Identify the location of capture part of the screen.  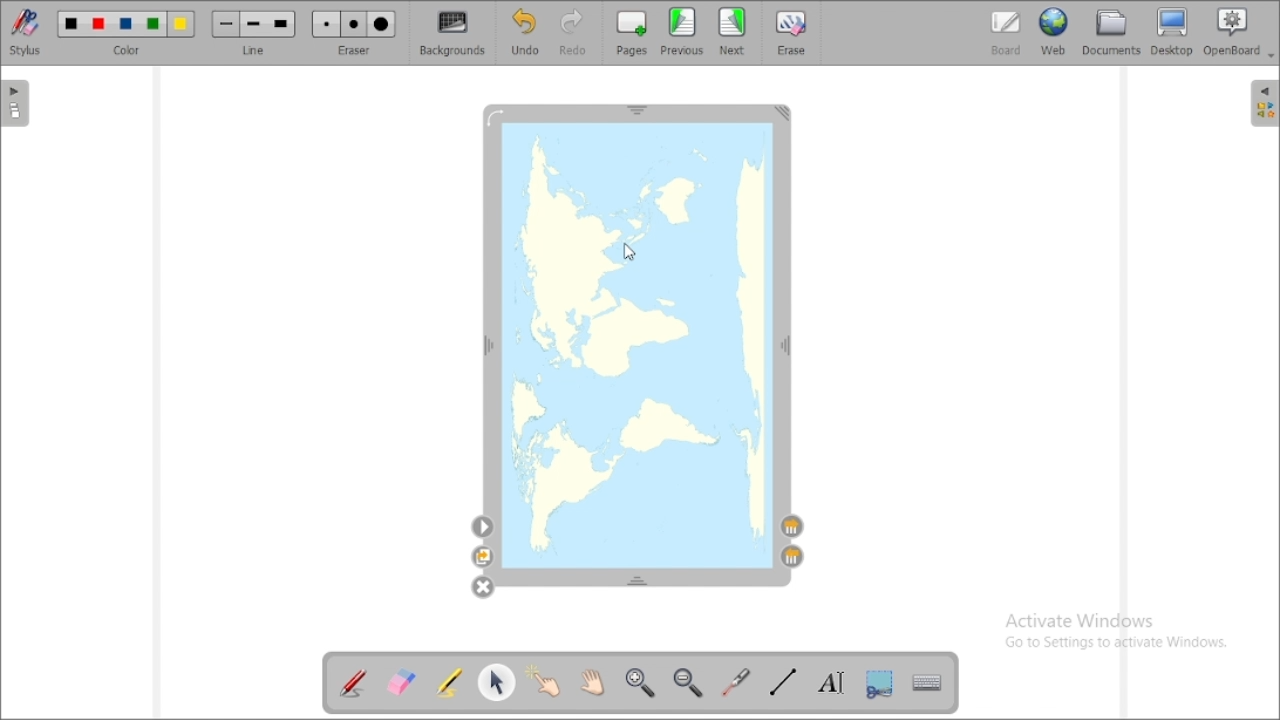
(880, 684).